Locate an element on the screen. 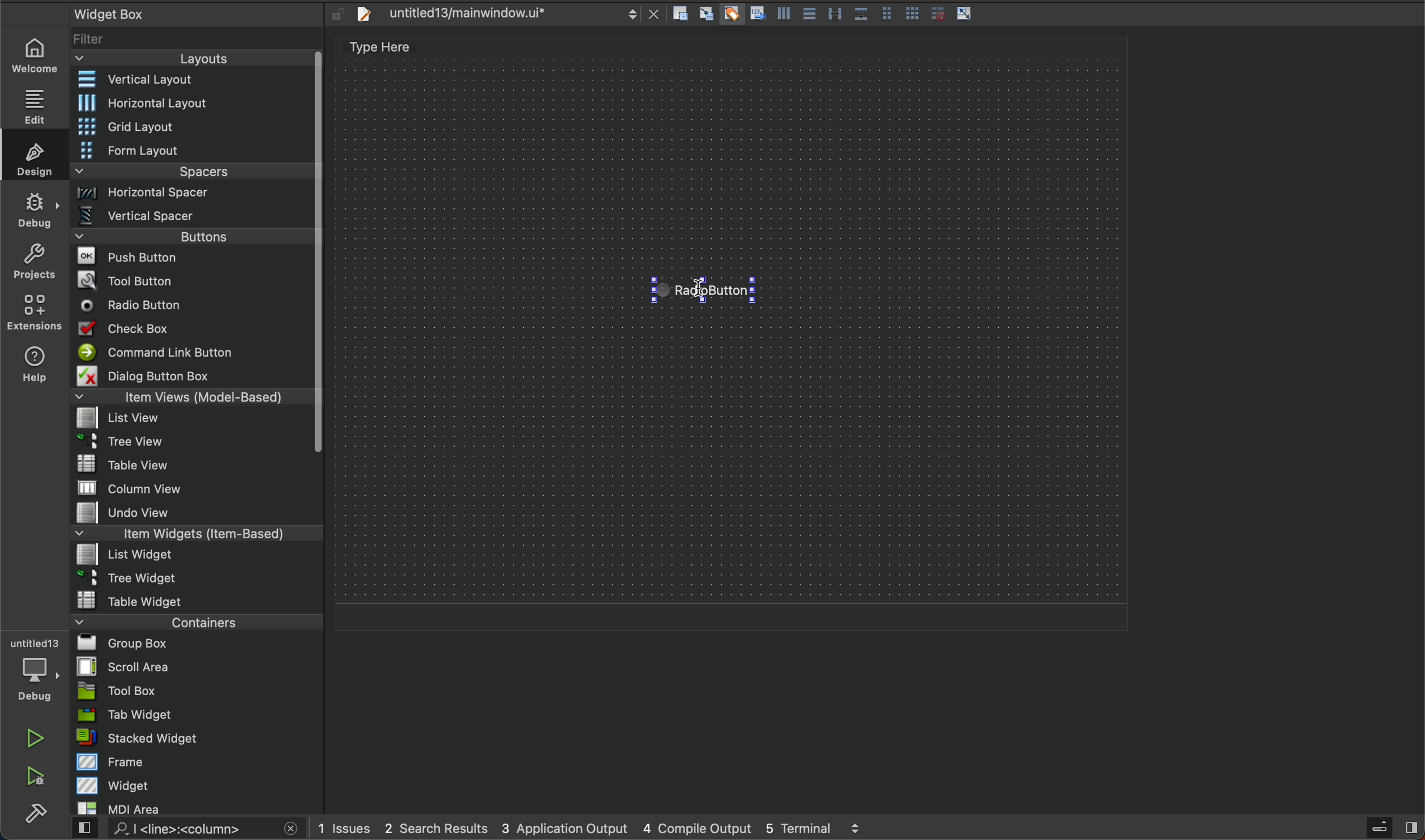   is located at coordinates (913, 15).